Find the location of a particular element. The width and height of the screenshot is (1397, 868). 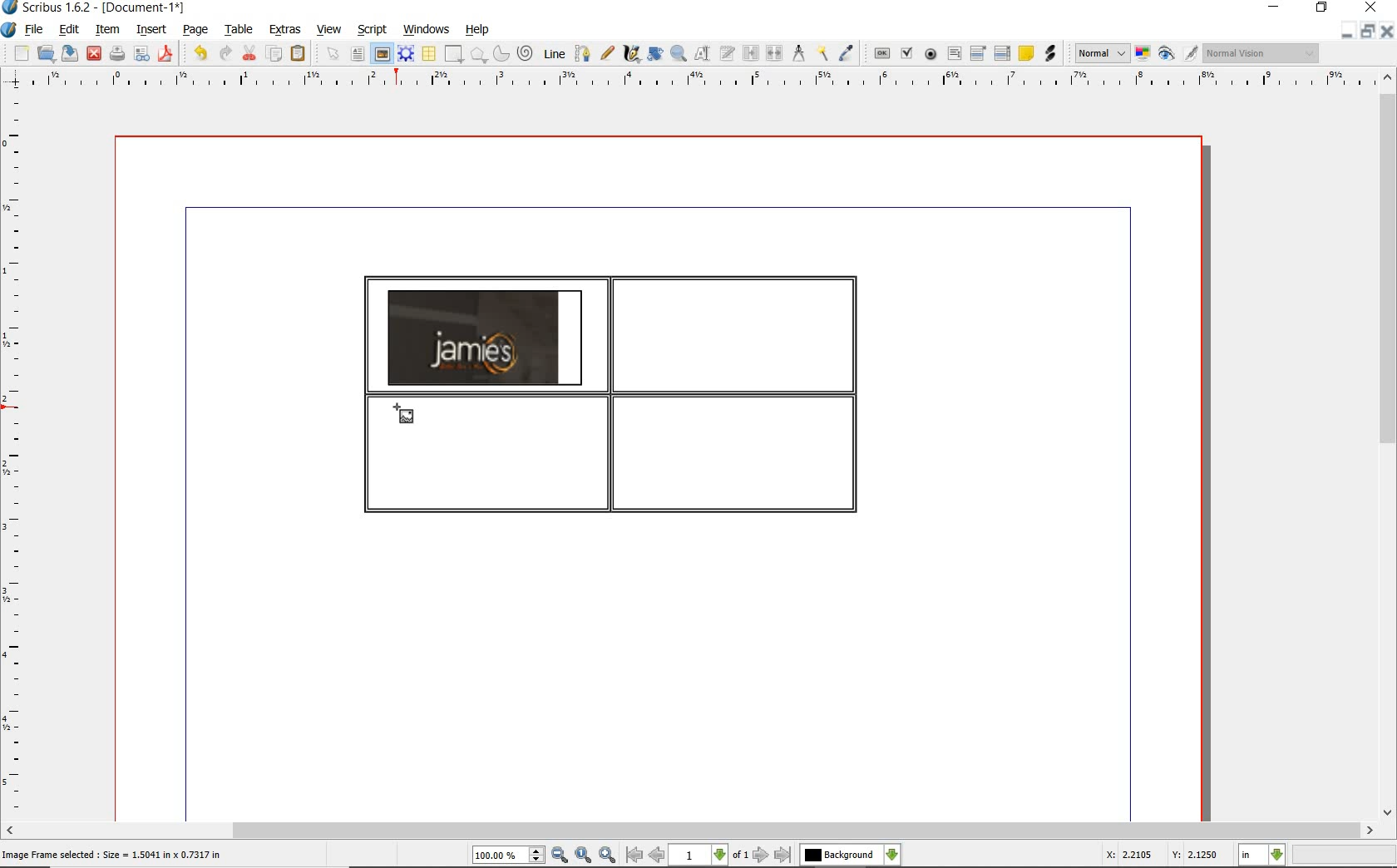

ruler is located at coordinates (706, 80).